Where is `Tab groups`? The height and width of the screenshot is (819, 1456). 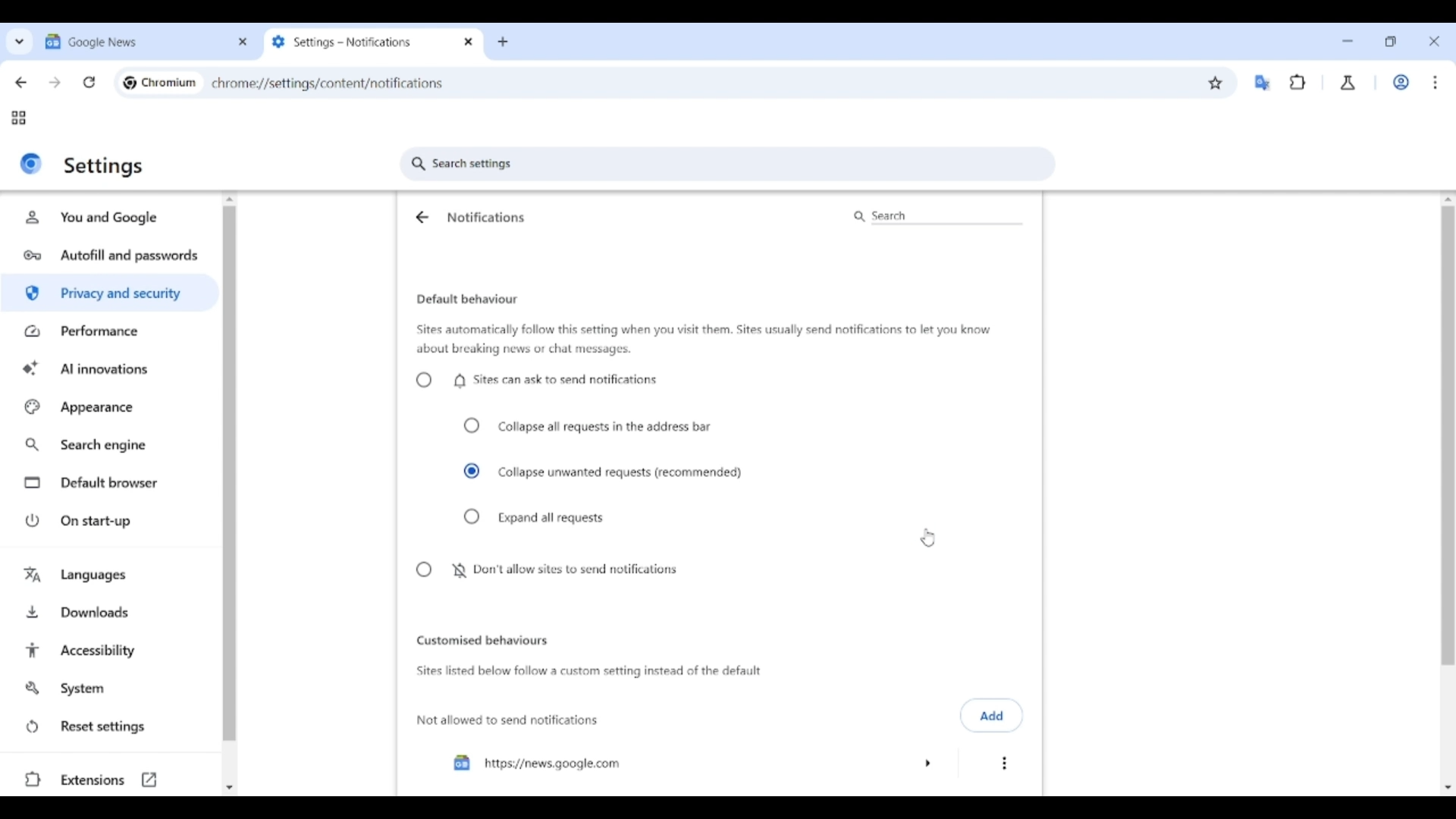
Tab groups is located at coordinates (18, 118).